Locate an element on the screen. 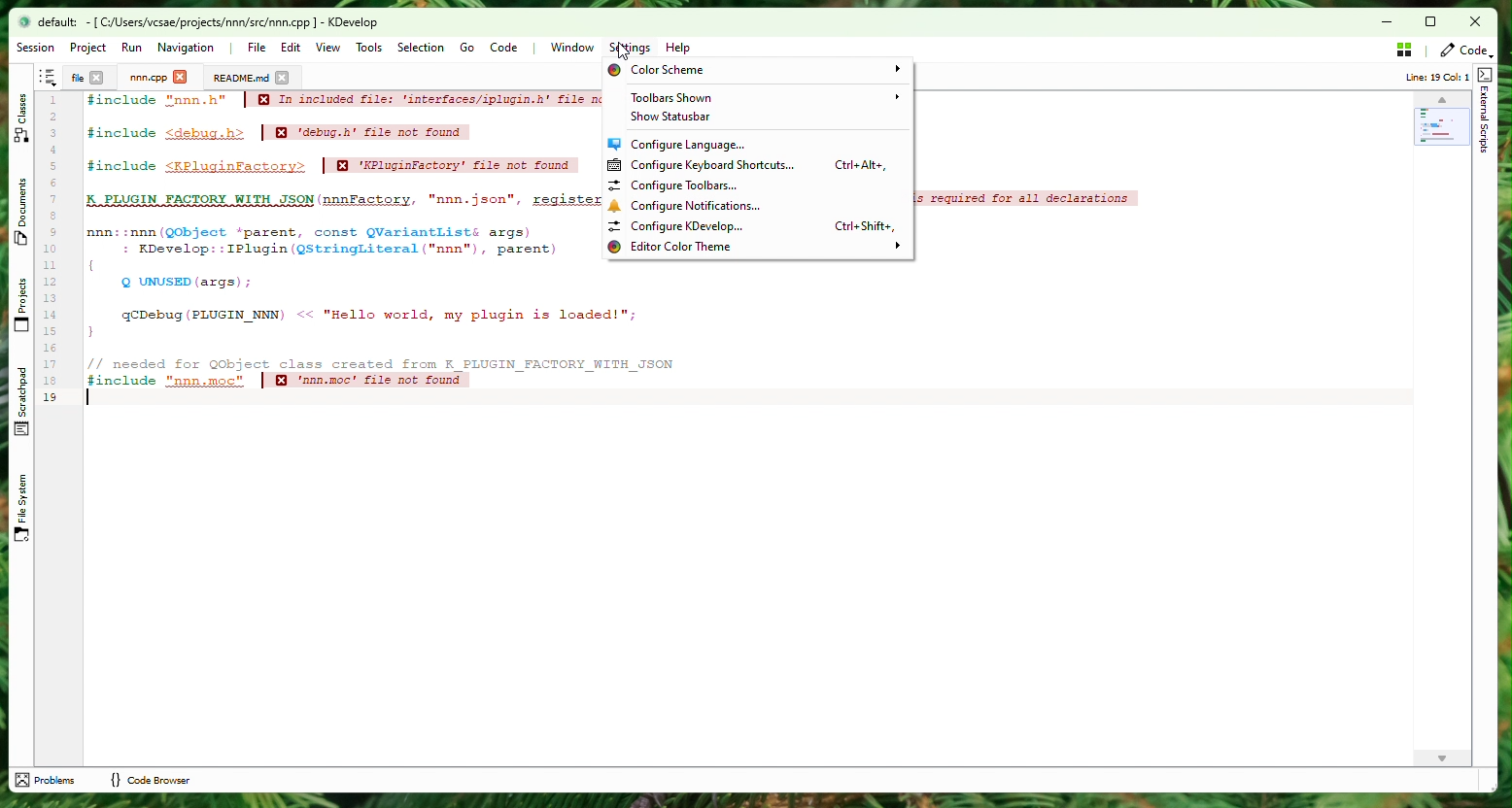  close is located at coordinates (181, 78).